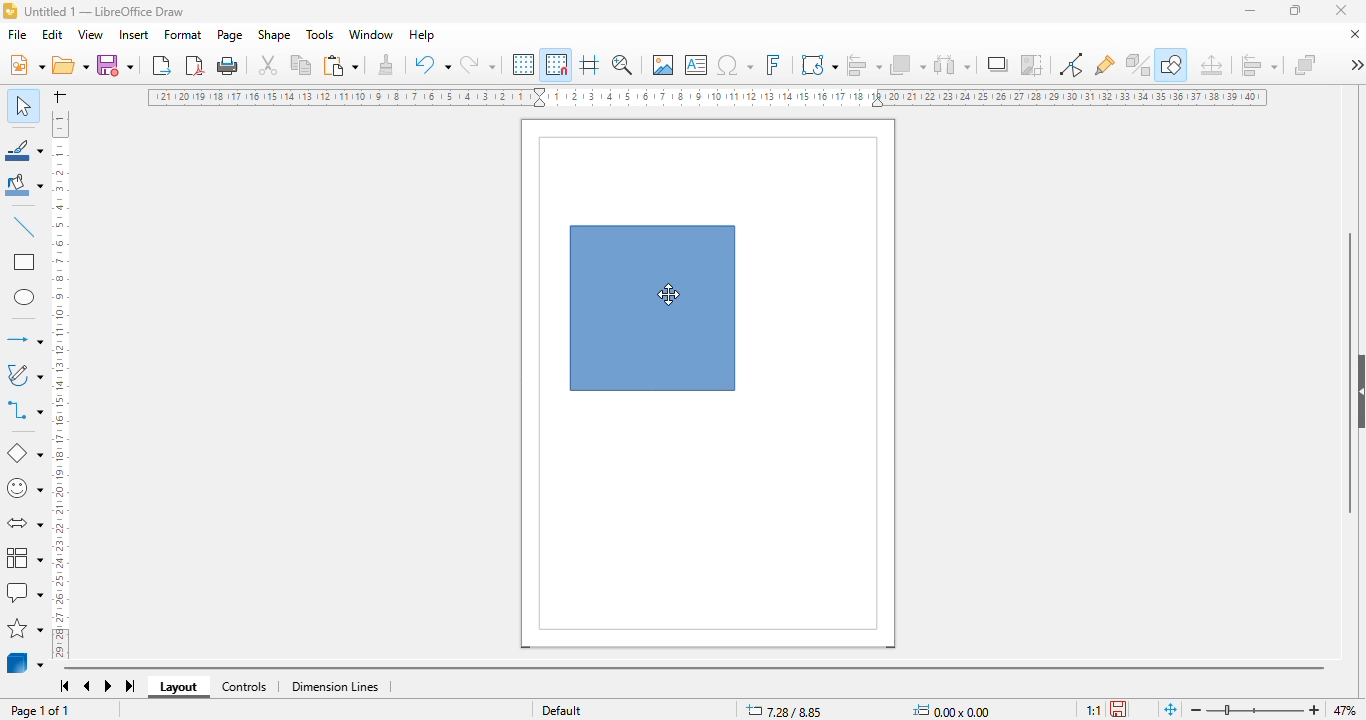  I want to click on redo, so click(478, 64).